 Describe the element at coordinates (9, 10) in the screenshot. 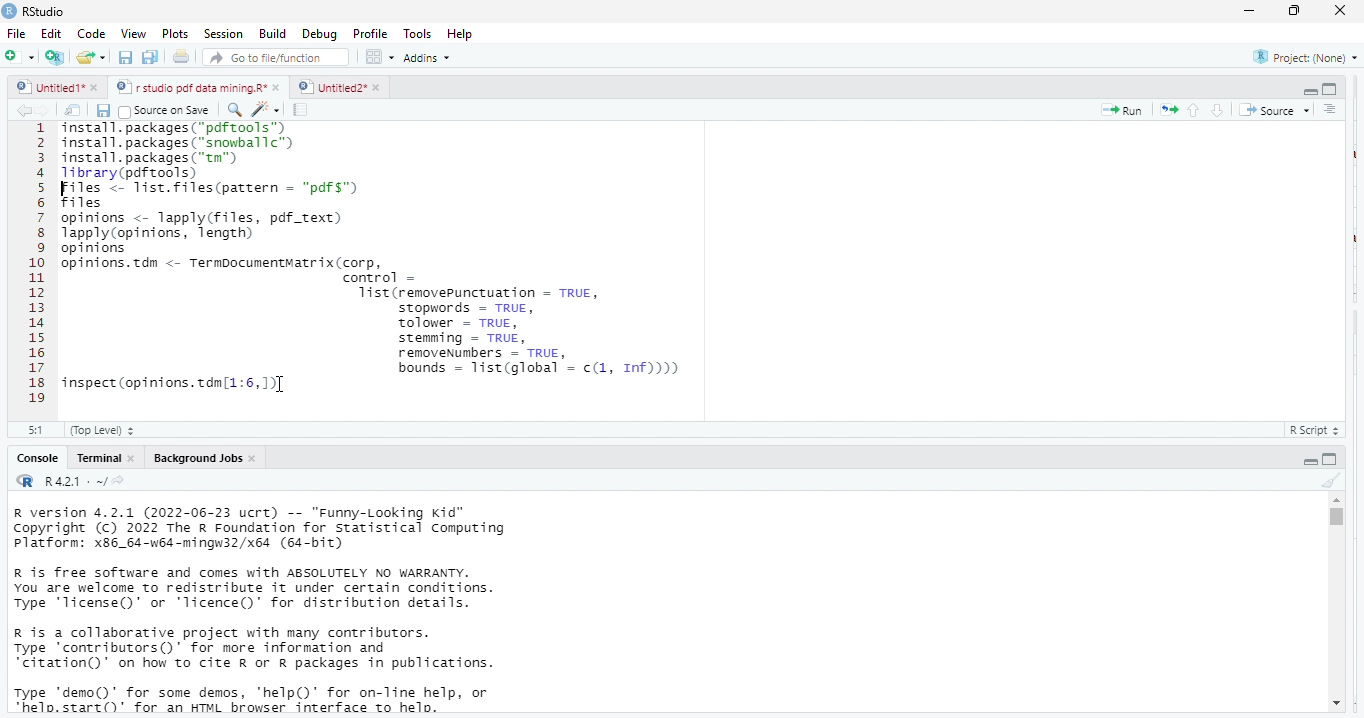

I see `rs studio logo` at that location.